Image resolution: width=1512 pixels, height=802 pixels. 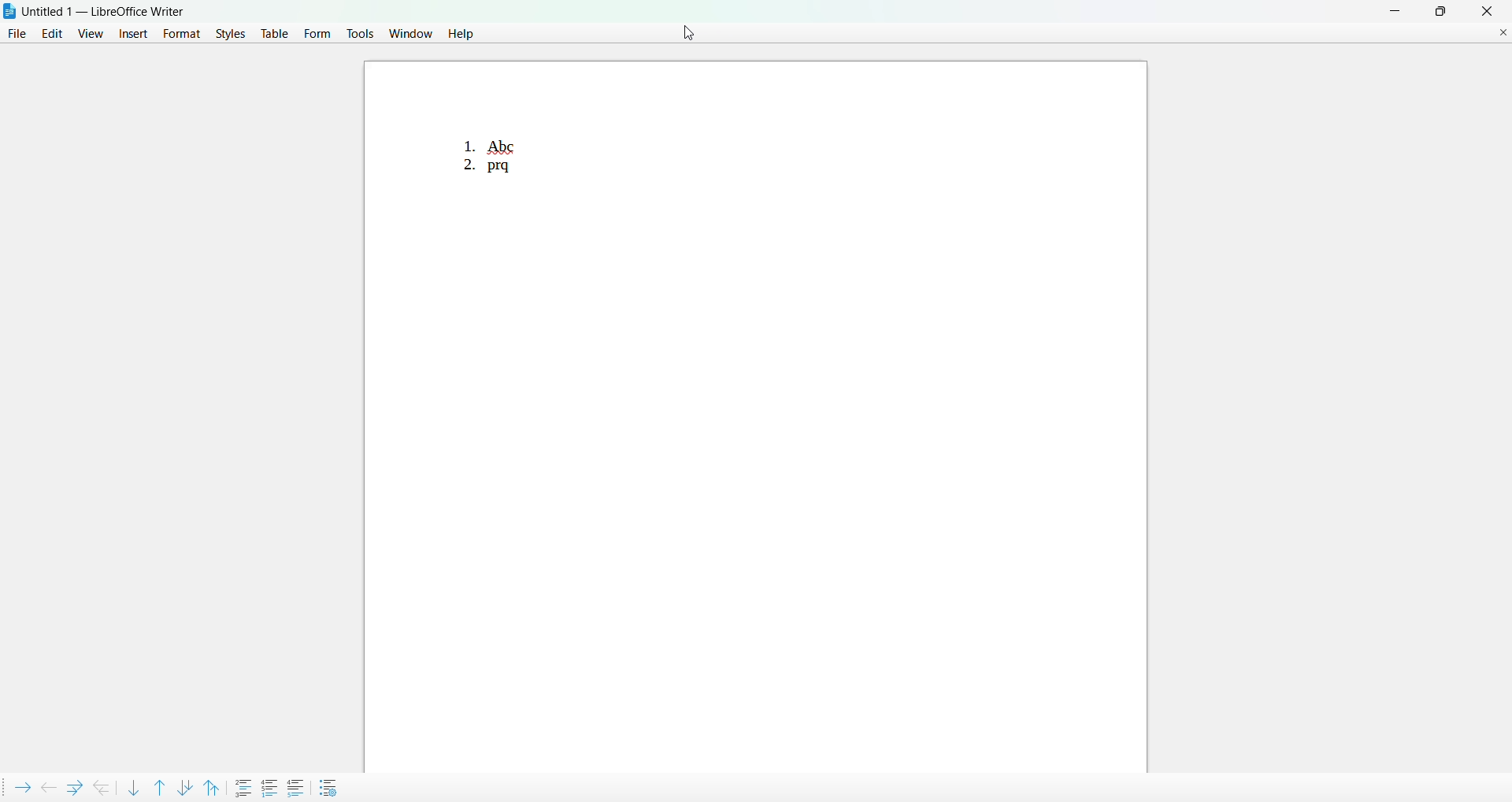 What do you see at coordinates (1503, 32) in the screenshot?
I see `close document` at bounding box center [1503, 32].